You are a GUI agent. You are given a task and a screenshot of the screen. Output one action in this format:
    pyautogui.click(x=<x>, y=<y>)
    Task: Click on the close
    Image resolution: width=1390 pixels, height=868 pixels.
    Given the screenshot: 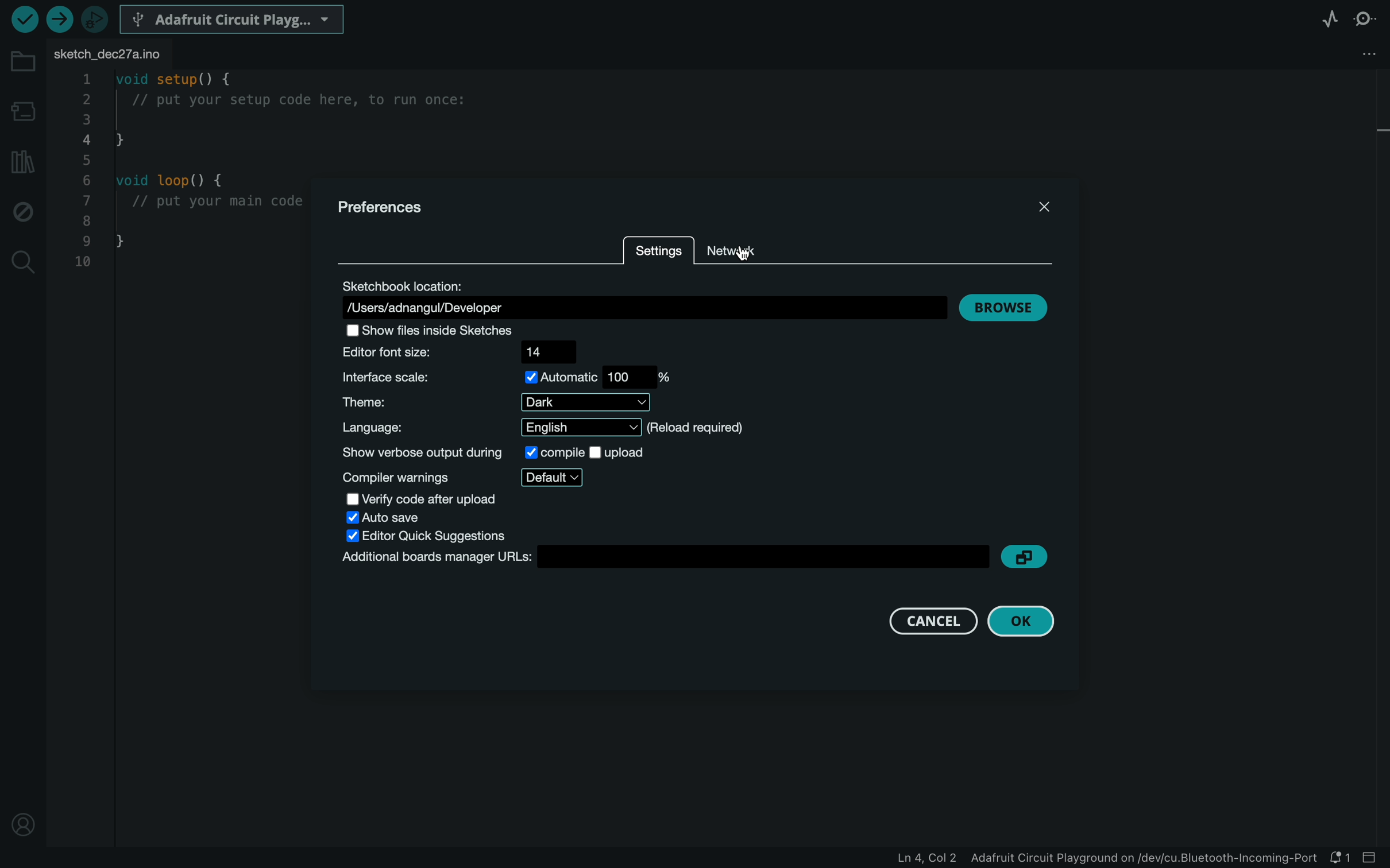 What is the action you would take?
    pyautogui.click(x=1042, y=204)
    